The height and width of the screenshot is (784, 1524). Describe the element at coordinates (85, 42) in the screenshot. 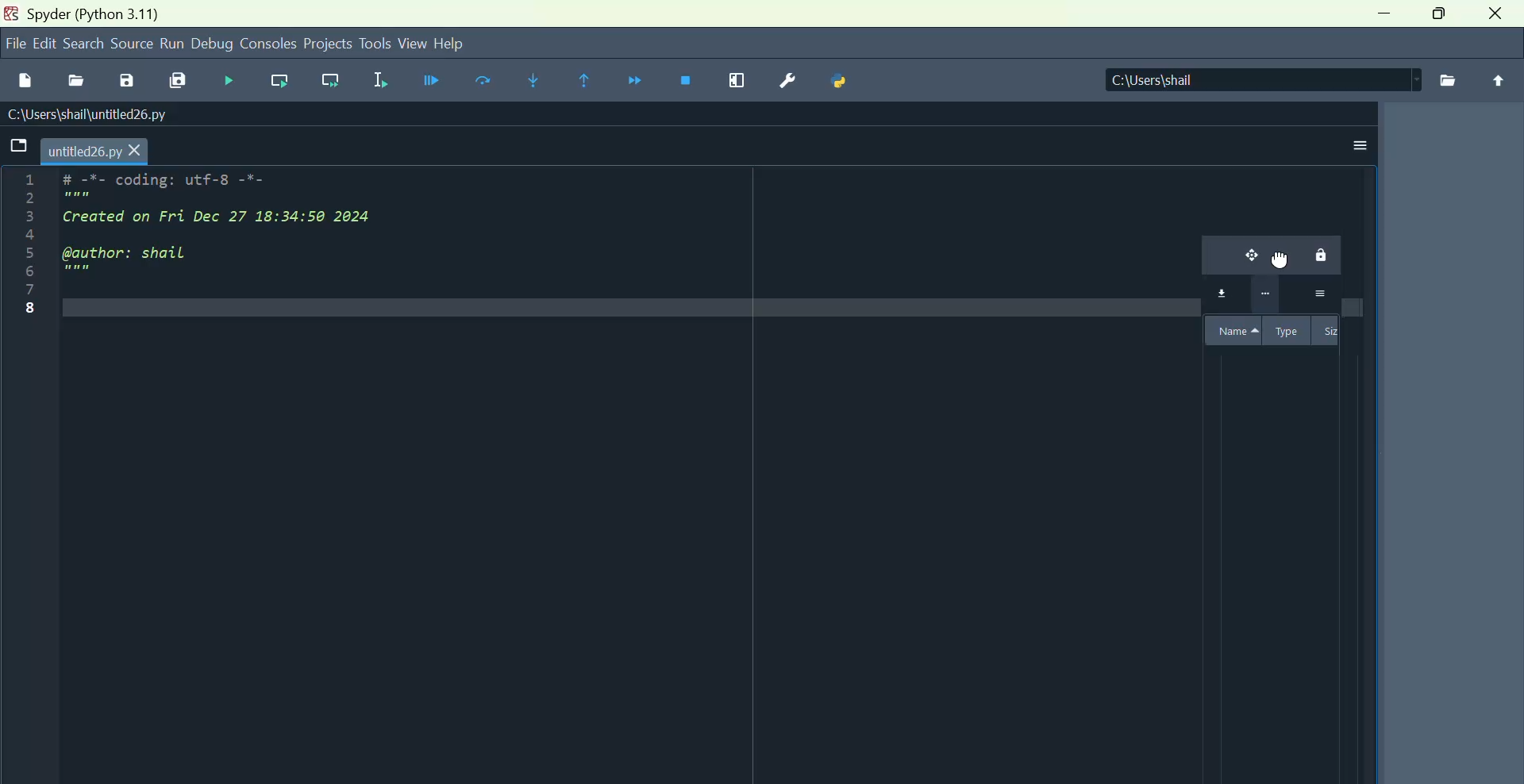

I see `search` at that location.